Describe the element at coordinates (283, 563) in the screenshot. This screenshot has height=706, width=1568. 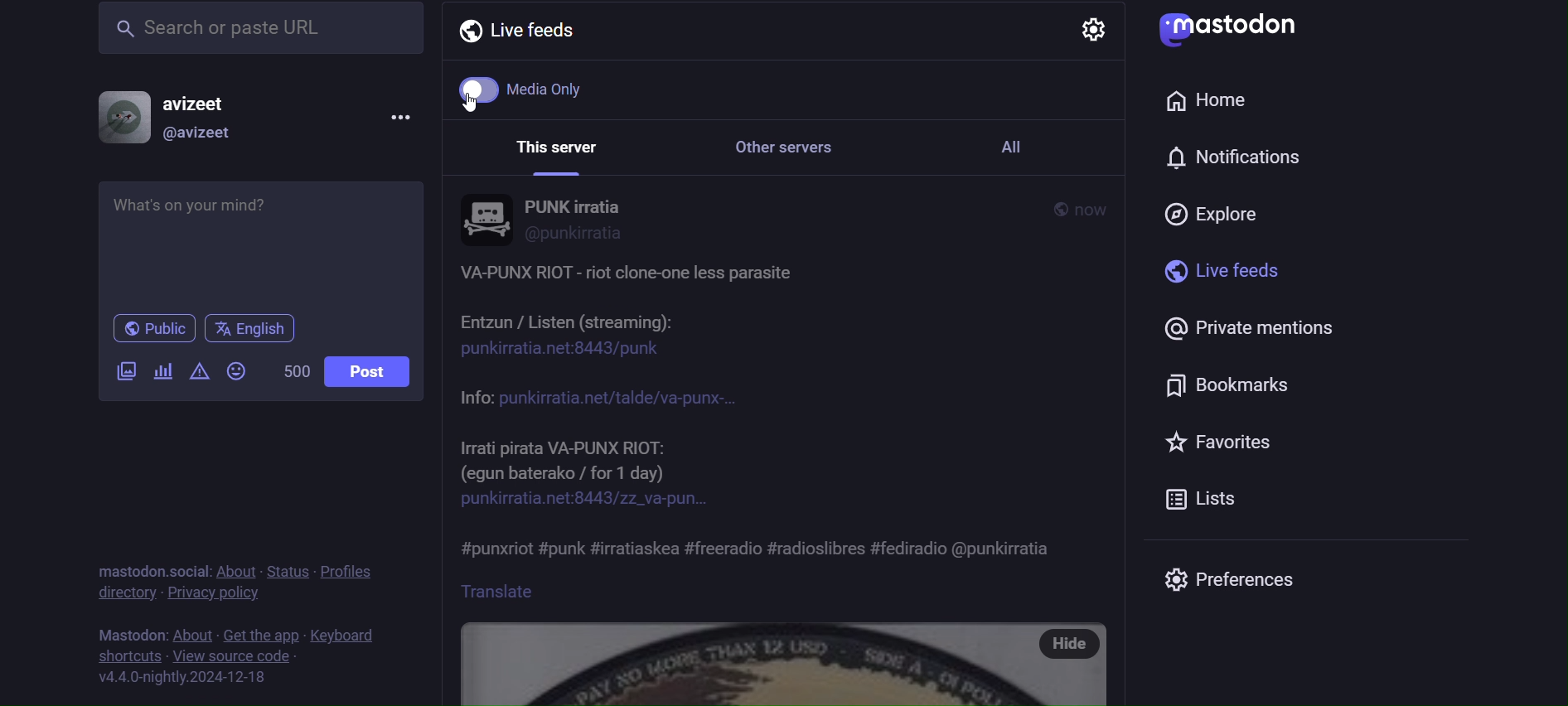
I see `status` at that location.